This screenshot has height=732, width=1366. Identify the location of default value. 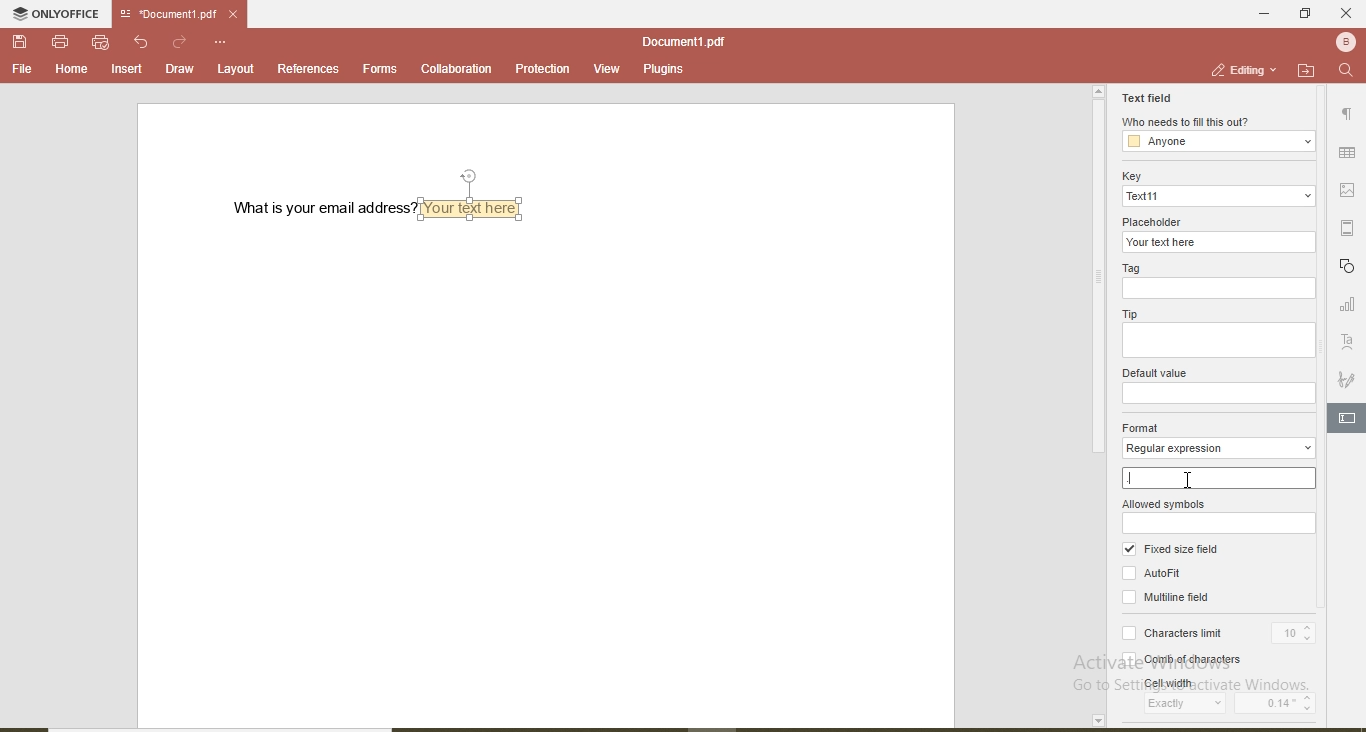
(1153, 373).